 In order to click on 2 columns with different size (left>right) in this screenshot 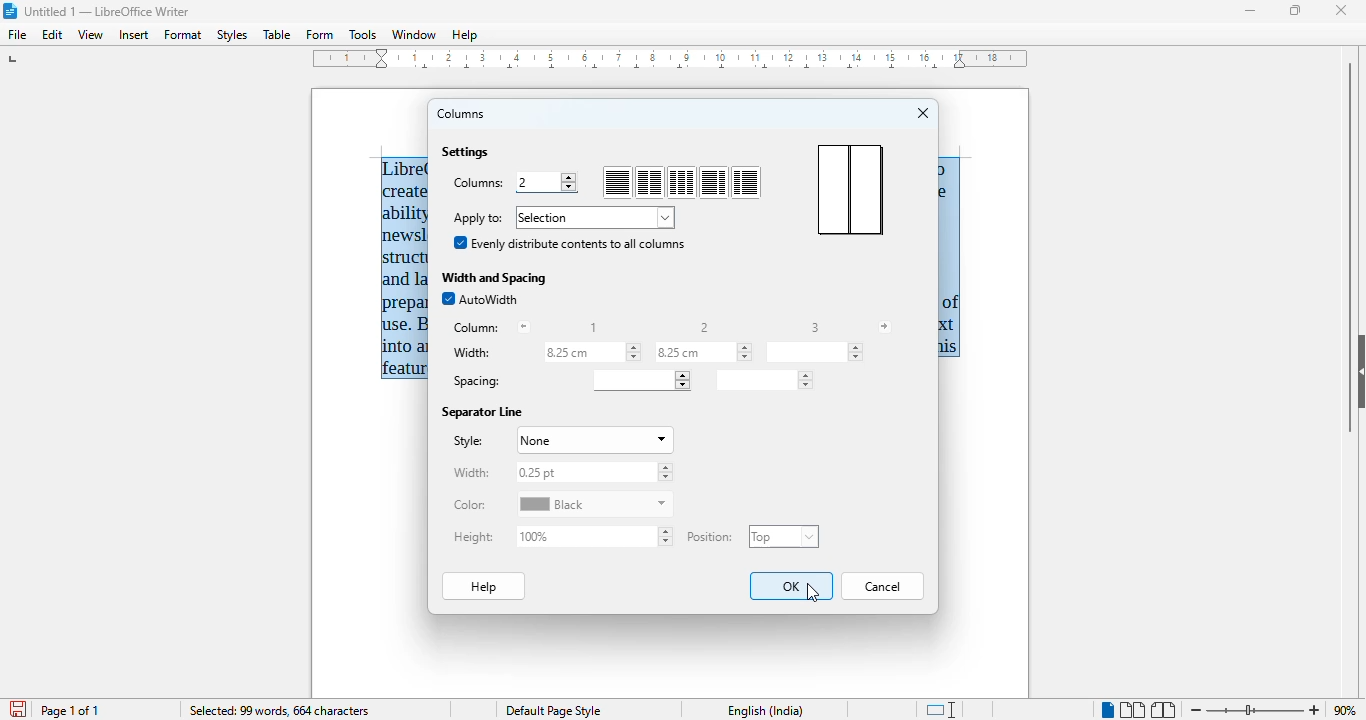, I will do `click(713, 182)`.